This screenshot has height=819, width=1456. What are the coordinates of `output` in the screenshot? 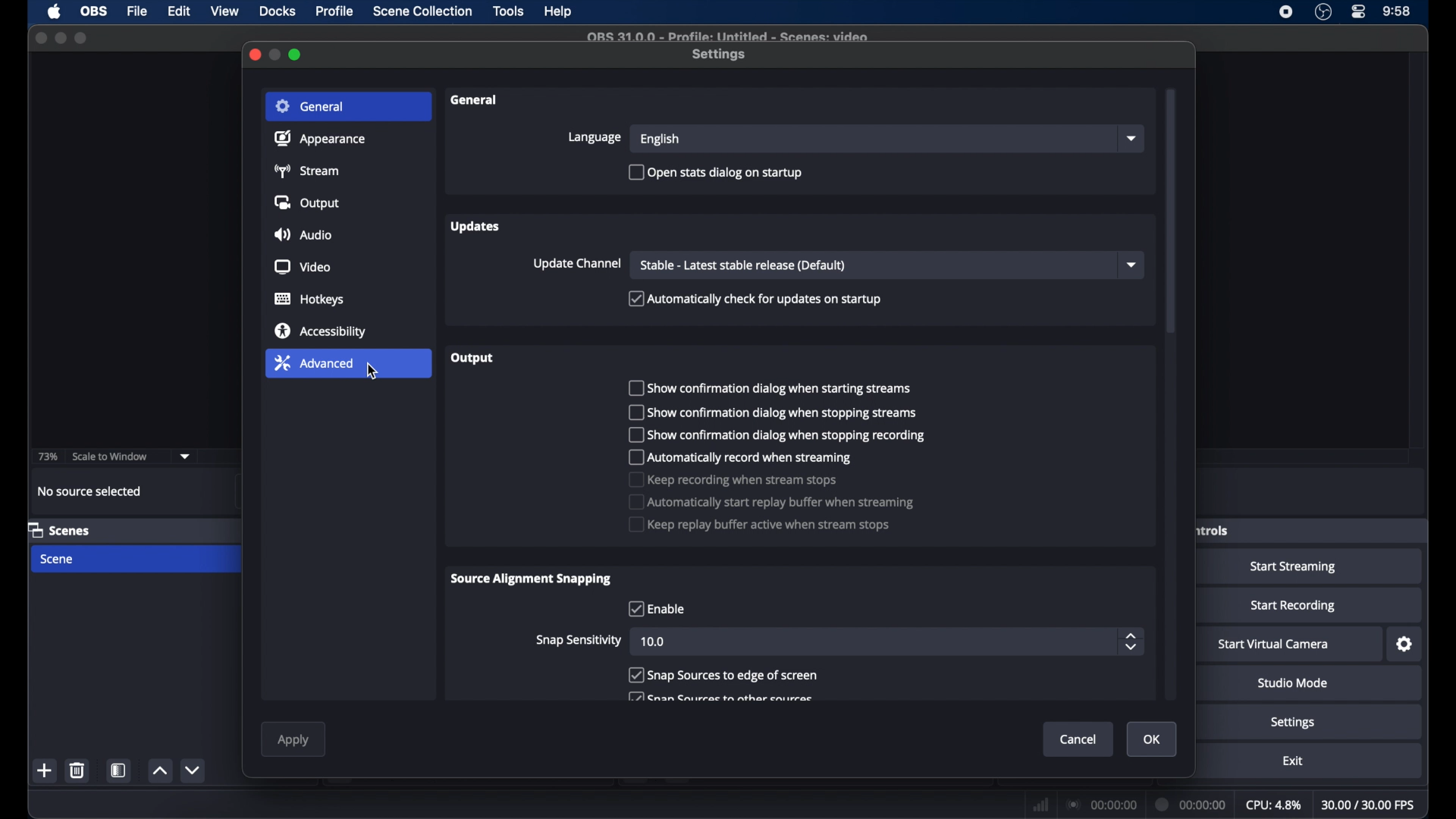 It's located at (472, 358).